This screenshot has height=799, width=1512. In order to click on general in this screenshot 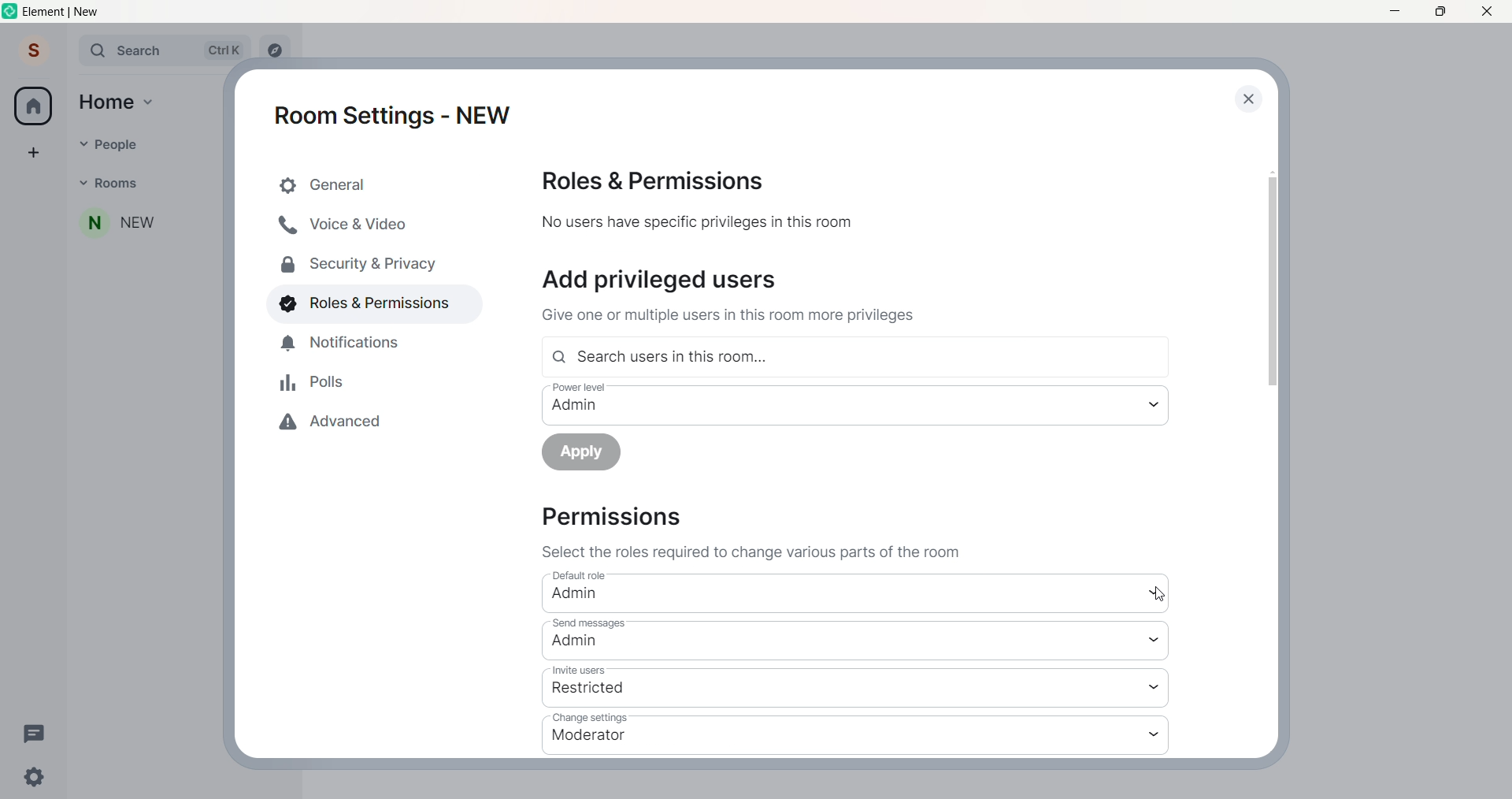, I will do `click(376, 184)`.